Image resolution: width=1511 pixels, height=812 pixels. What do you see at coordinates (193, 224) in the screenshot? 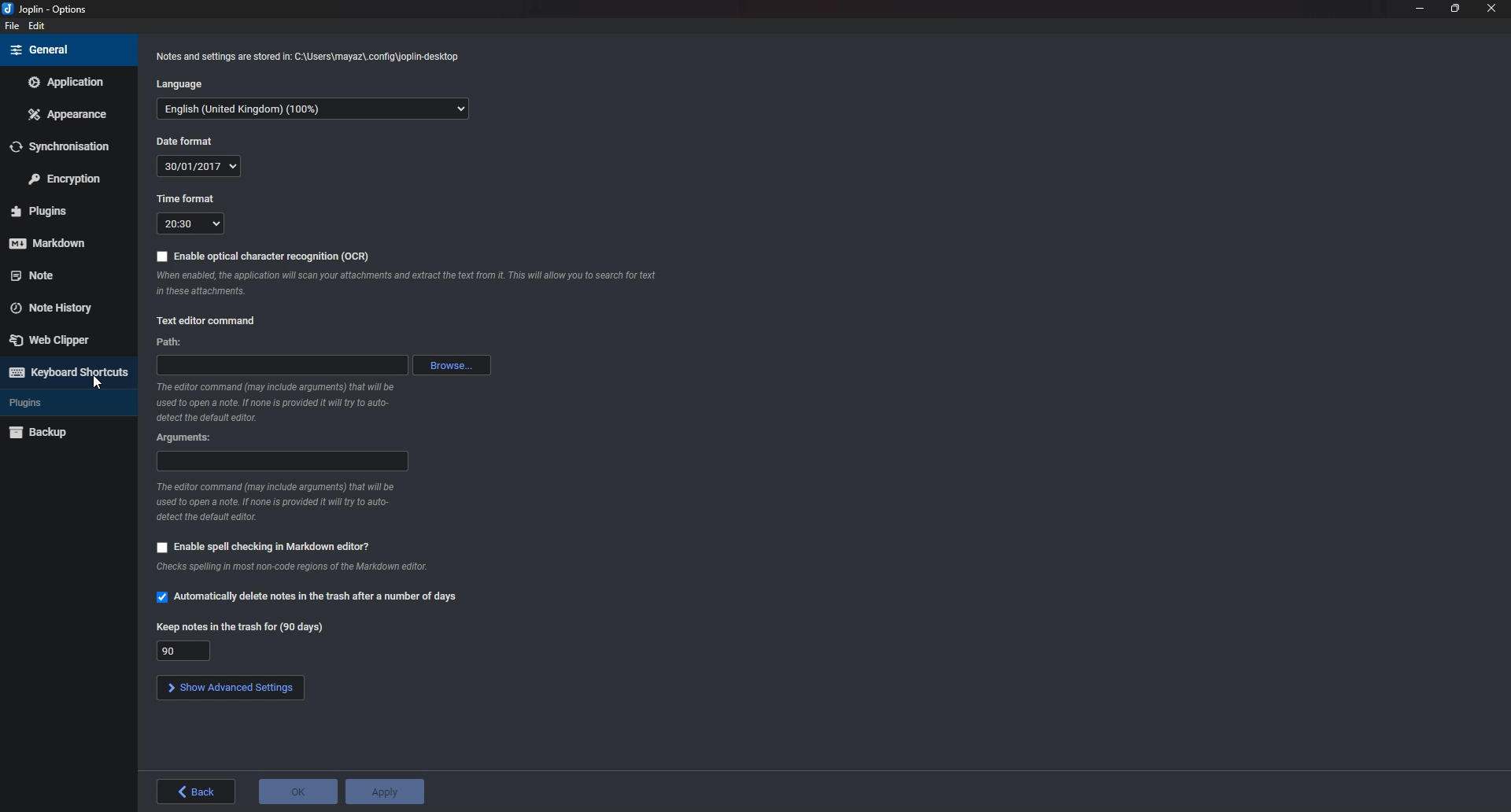
I see `Time format` at bounding box center [193, 224].